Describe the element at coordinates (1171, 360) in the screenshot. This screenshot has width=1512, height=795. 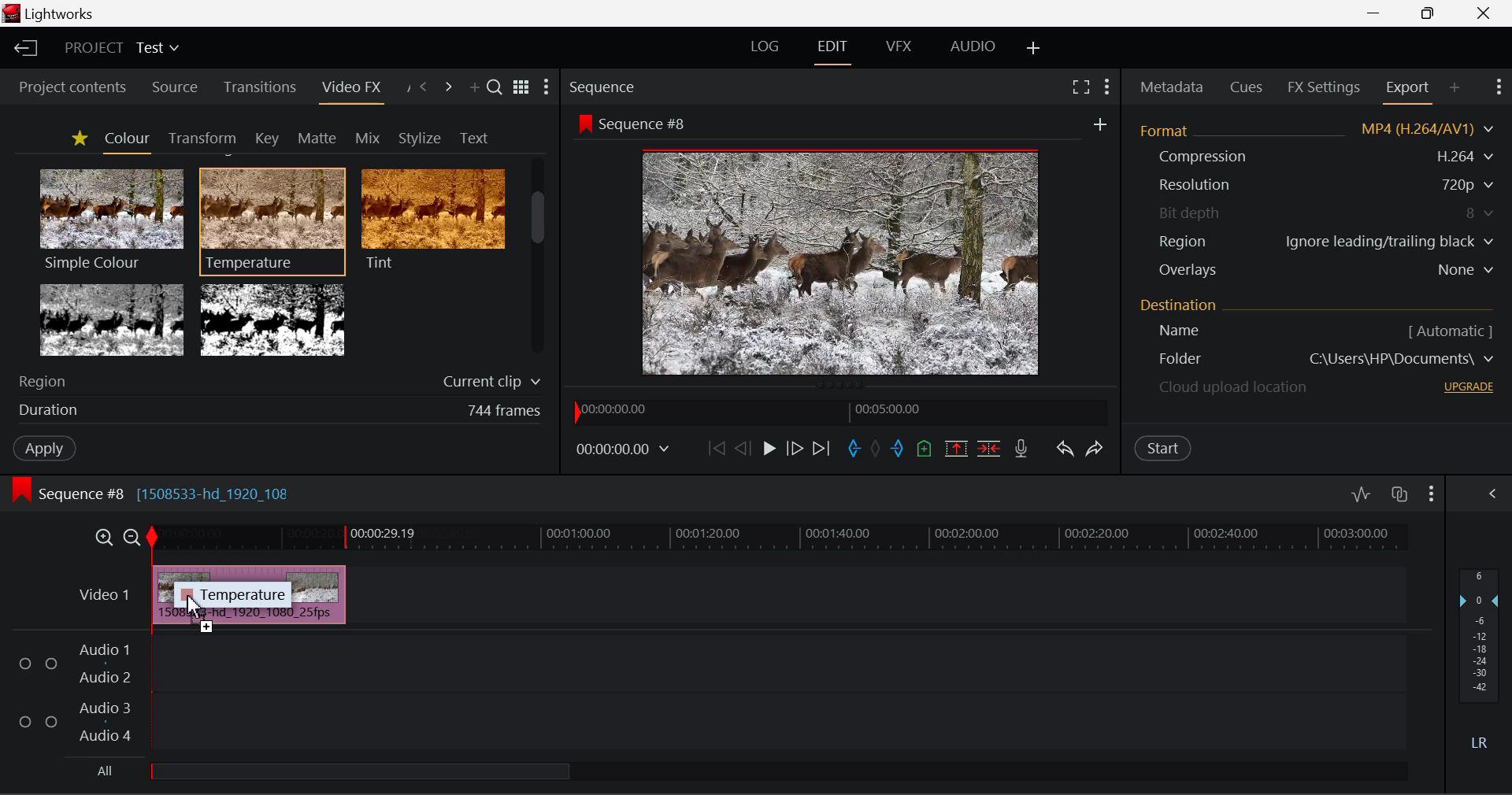
I see `Destination Folder` at that location.